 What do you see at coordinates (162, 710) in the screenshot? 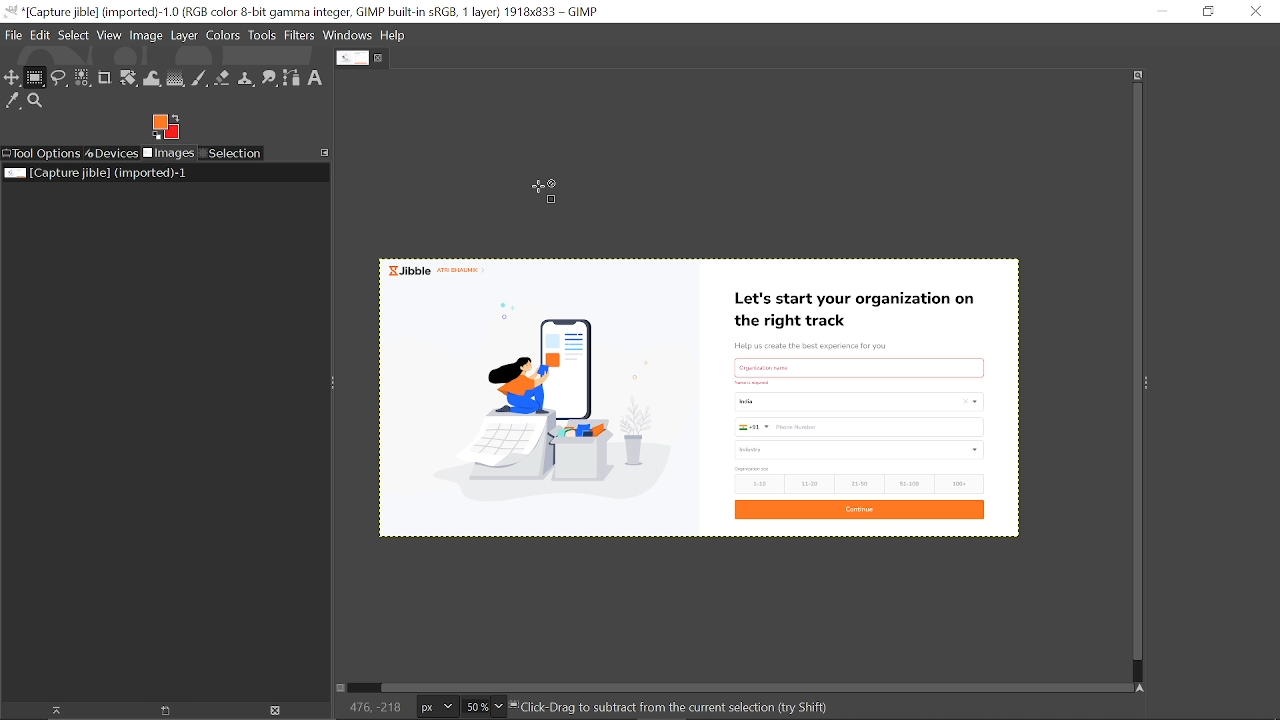
I see `Create new display for this image` at bounding box center [162, 710].